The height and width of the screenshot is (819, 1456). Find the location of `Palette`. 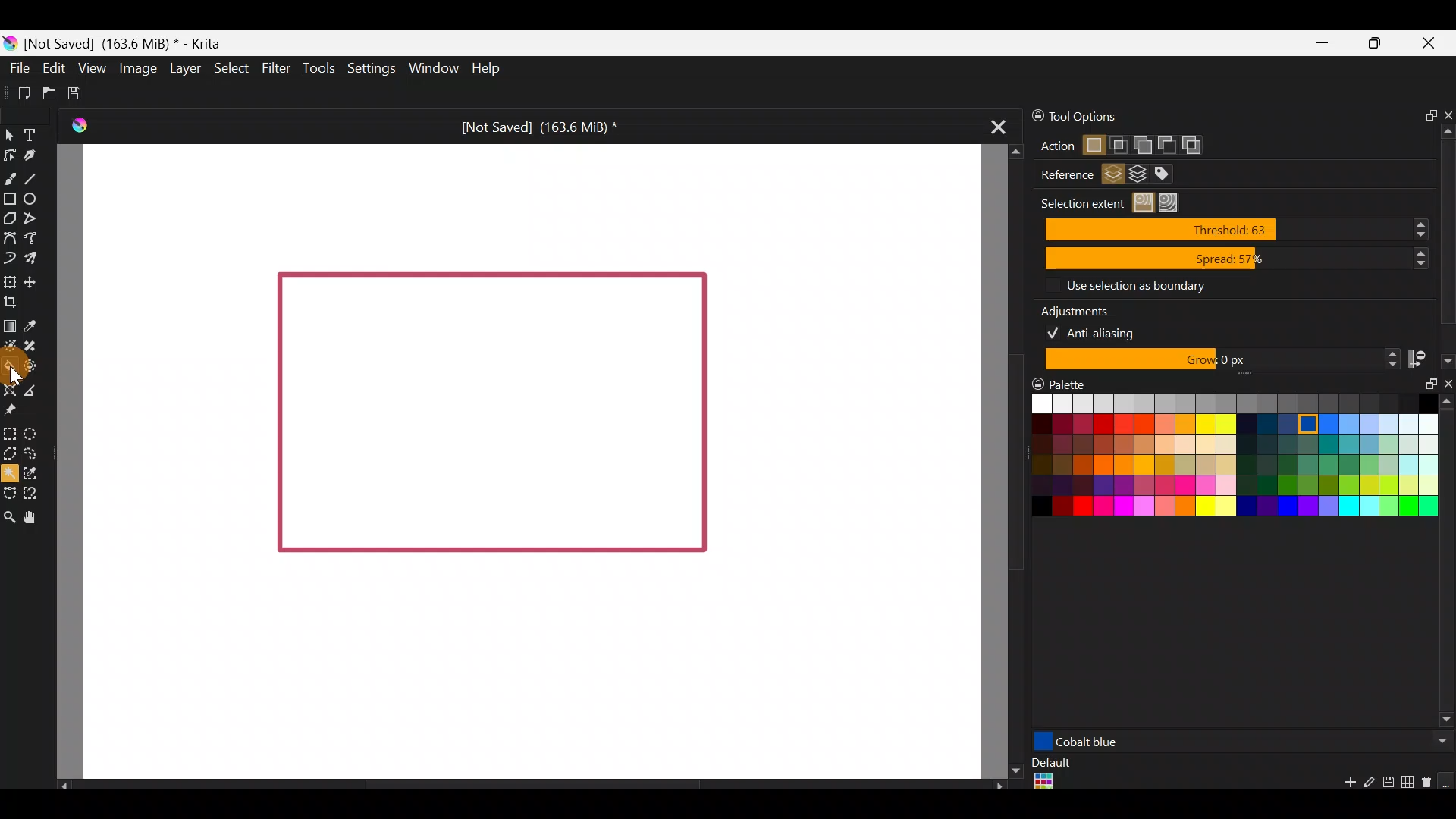

Palette is located at coordinates (1068, 381).